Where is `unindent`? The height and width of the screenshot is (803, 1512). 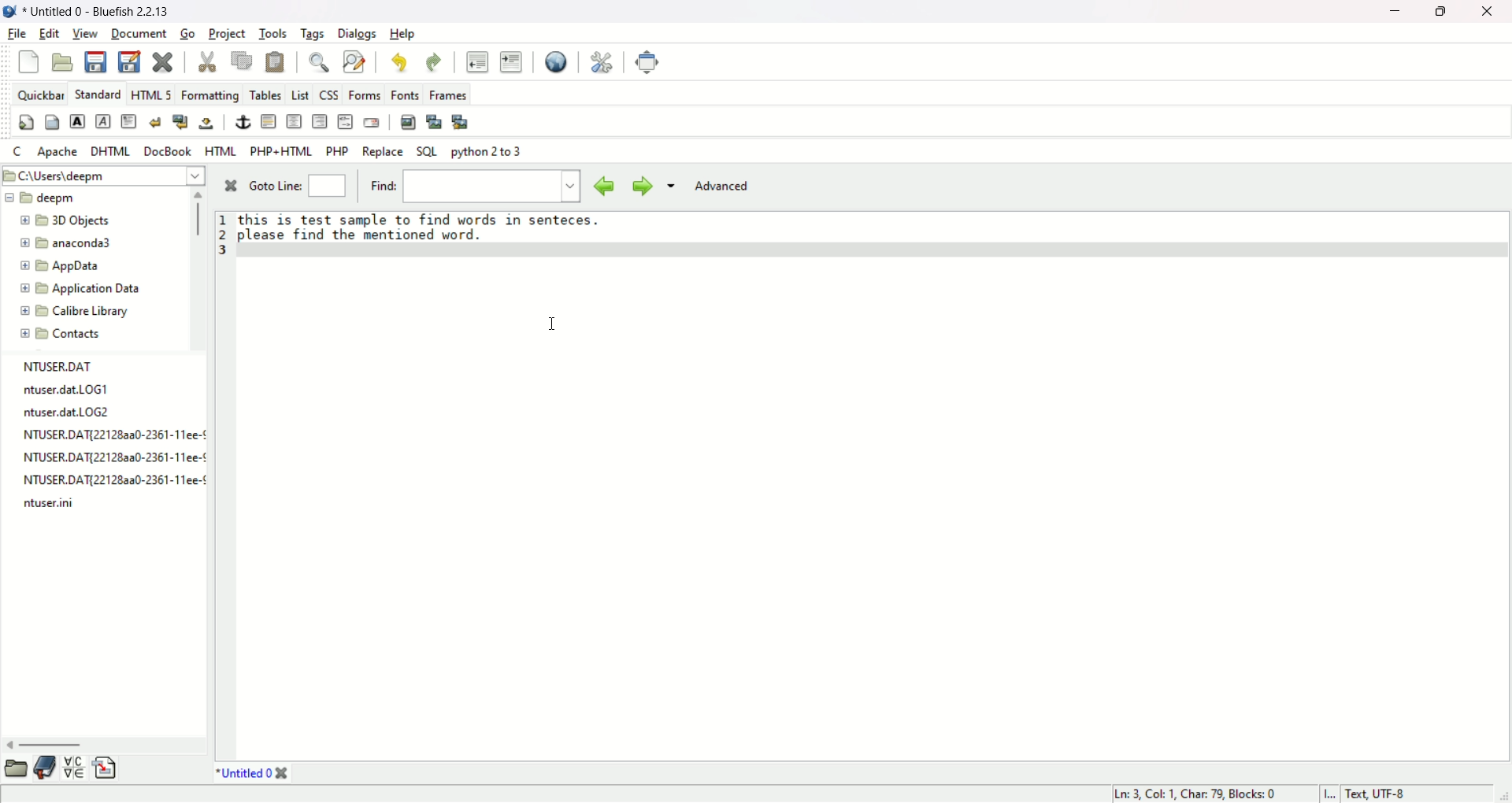 unindent is located at coordinates (476, 61).